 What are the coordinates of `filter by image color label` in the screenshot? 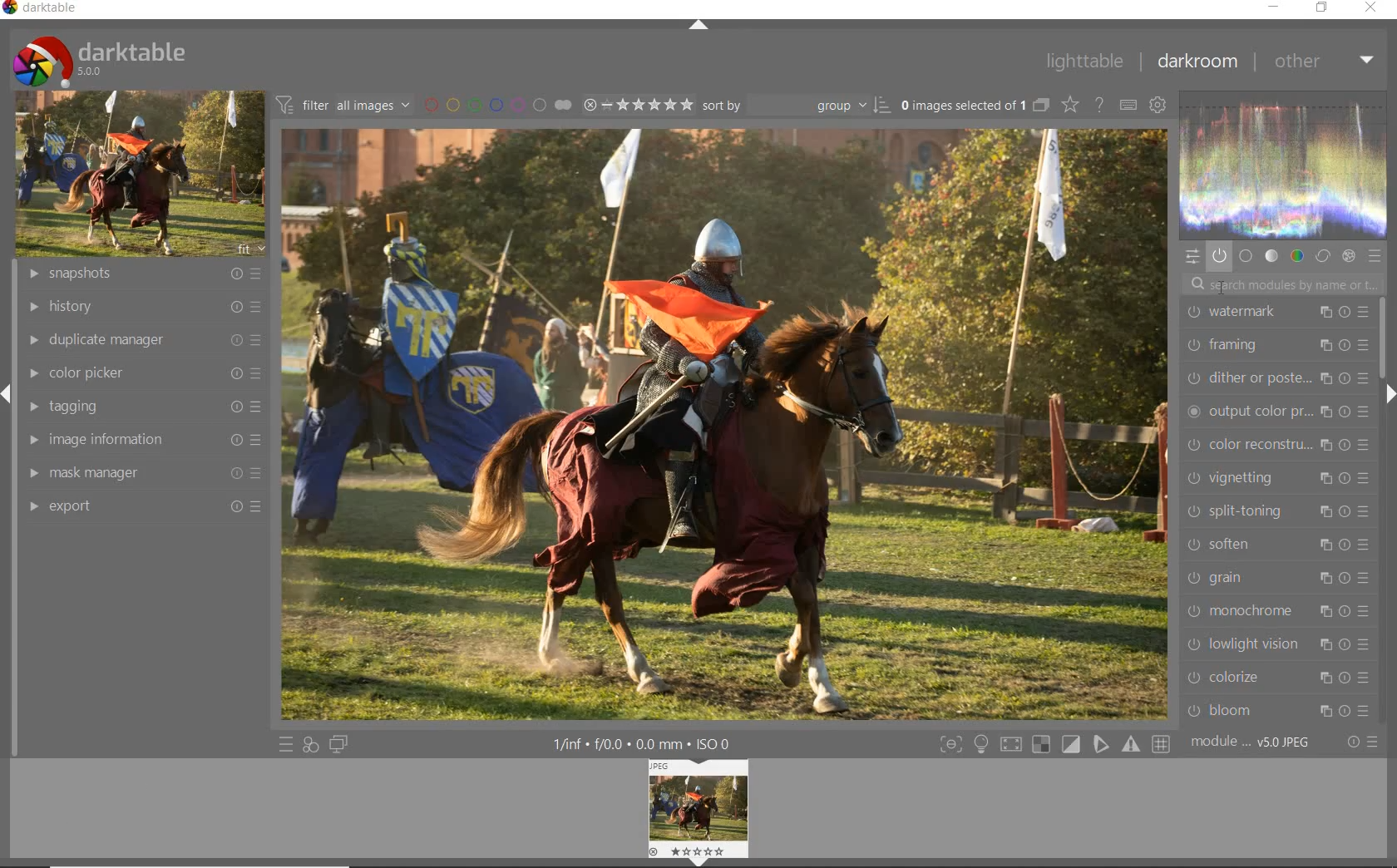 It's located at (496, 104).